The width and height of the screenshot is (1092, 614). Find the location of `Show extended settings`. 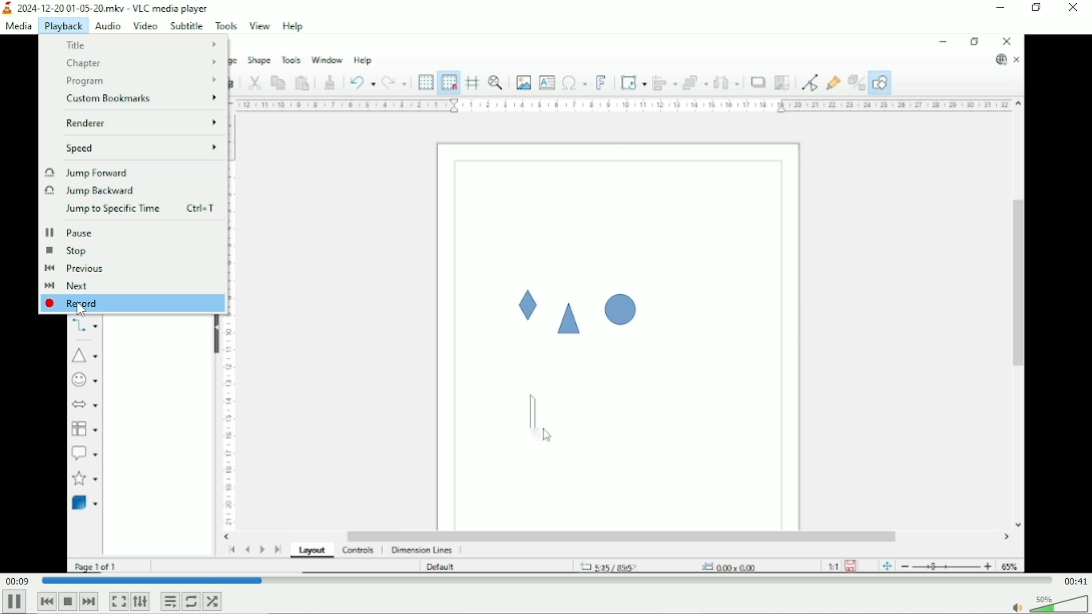

Show extended settings is located at coordinates (140, 601).